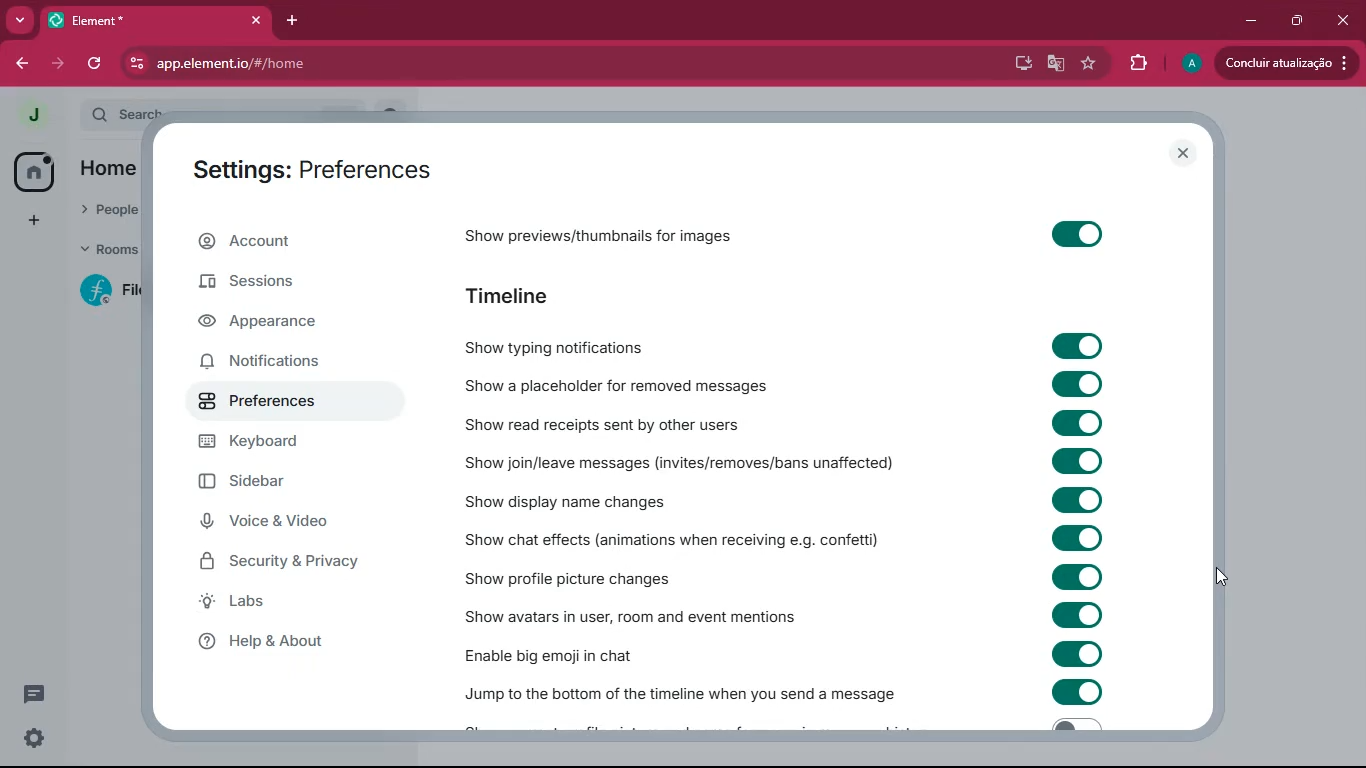  What do you see at coordinates (287, 523) in the screenshot?
I see `voice & video` at bounding box center [287, 523].